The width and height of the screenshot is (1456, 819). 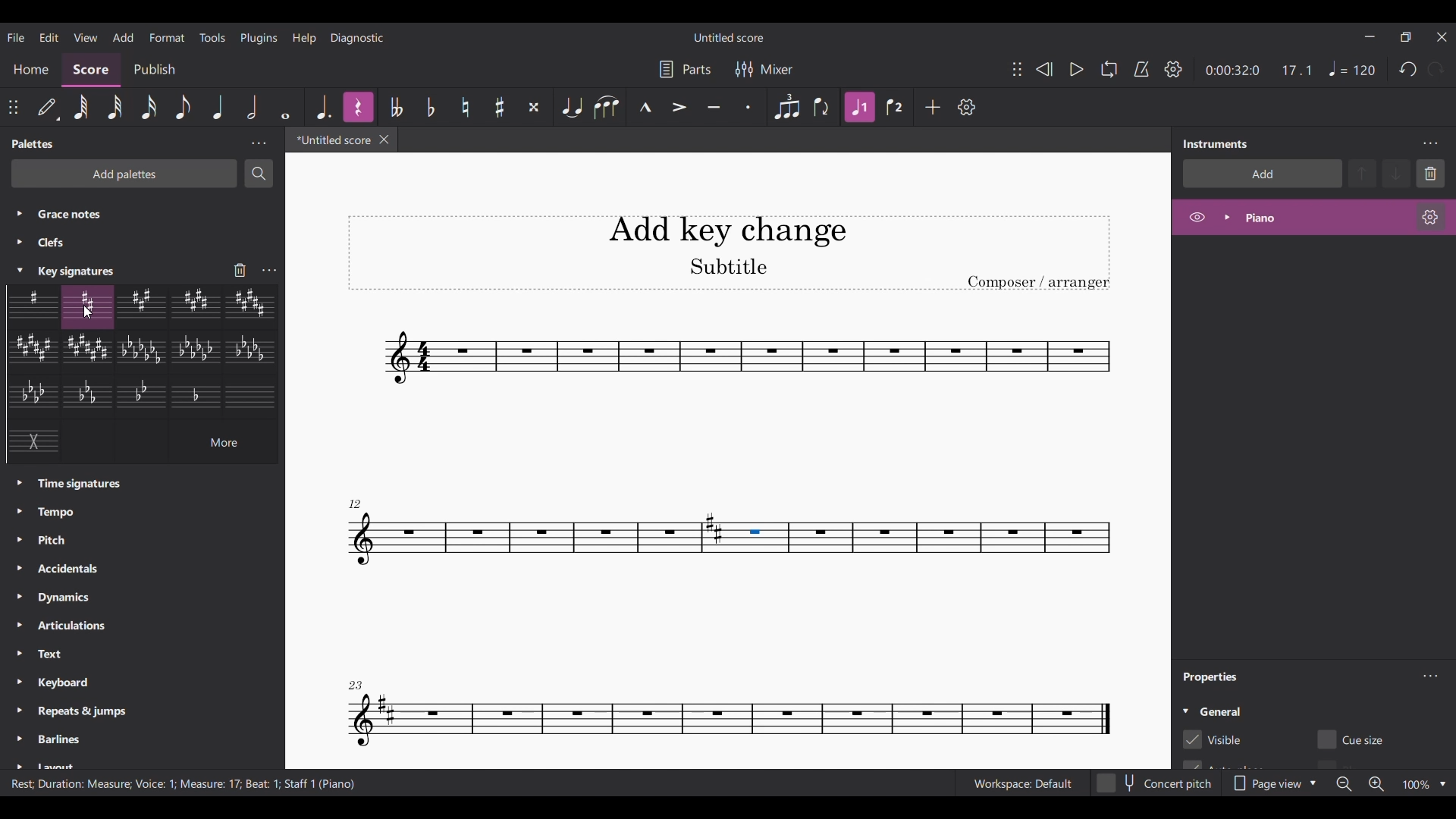 I want to click on File menu, so click(x=15, y=37).